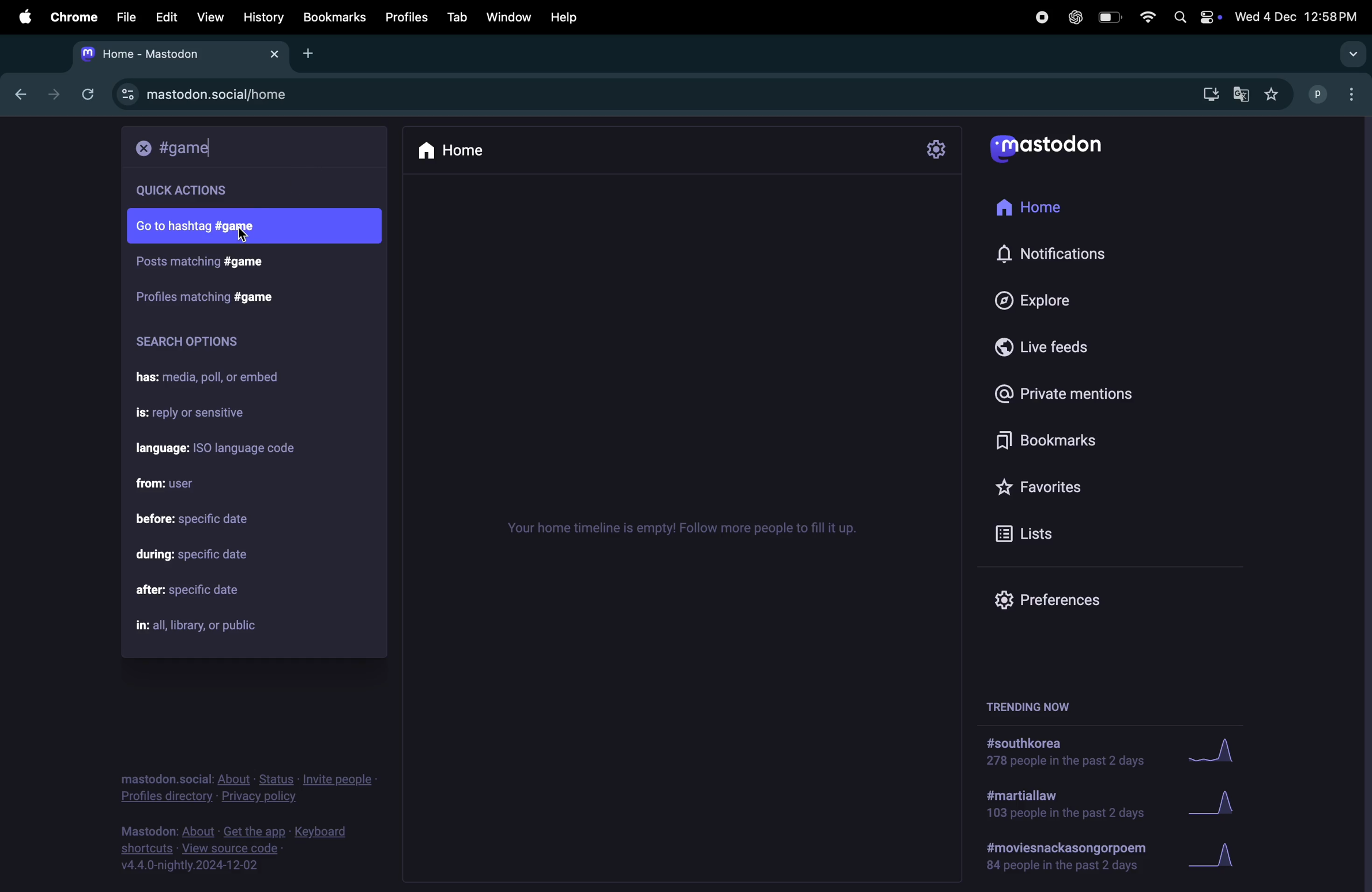  I want to click on date and time, so click(1298, 17).